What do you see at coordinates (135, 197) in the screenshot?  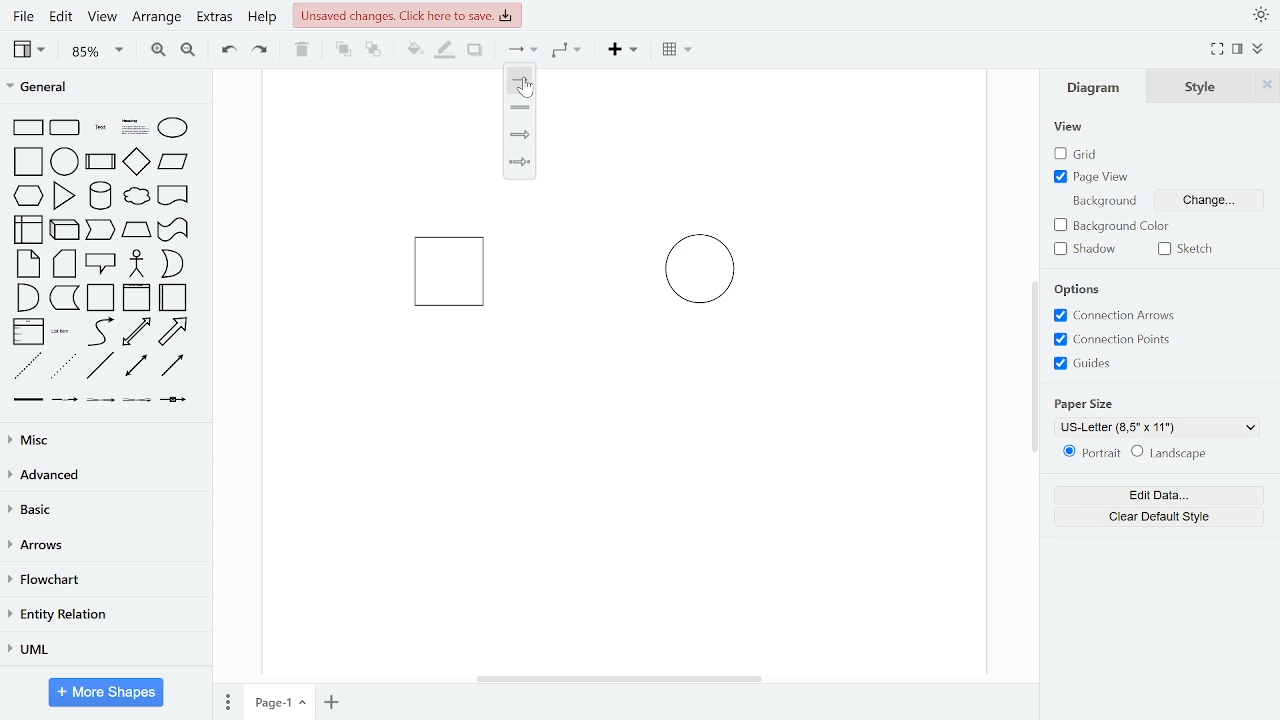 I see `cloud` at bounding box center [135, 197].